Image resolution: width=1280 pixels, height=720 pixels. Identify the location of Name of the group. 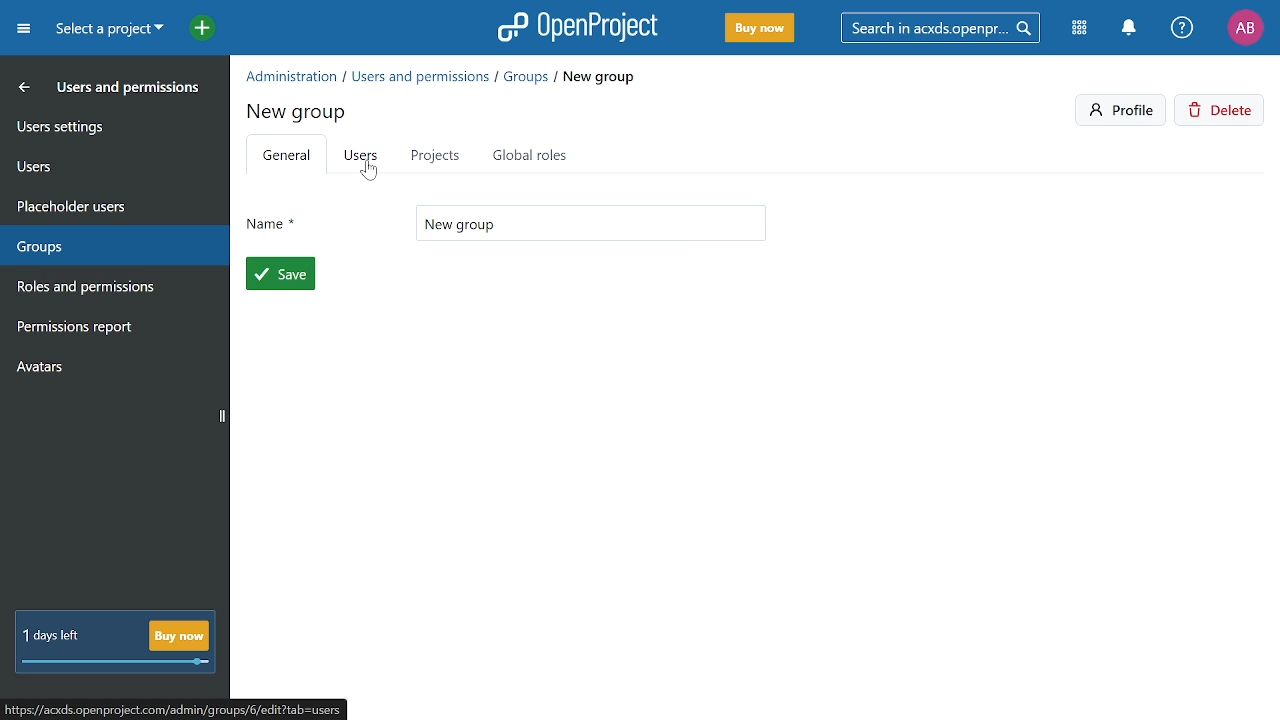
(591, 223).